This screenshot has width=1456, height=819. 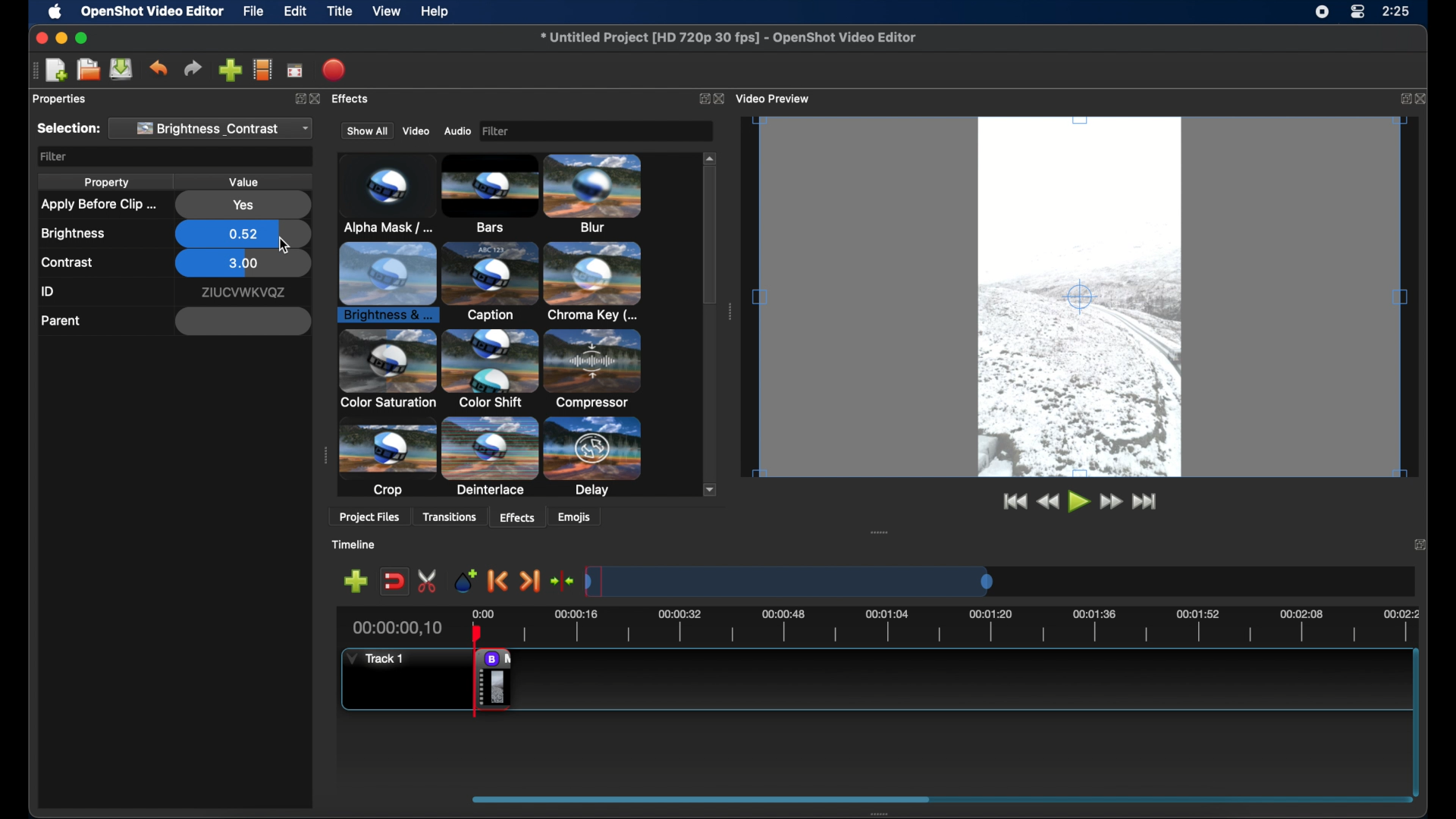 What do you see at coordinates (365, 131) in the screenshot?
I see `show all` at bounding box center [365, 131].